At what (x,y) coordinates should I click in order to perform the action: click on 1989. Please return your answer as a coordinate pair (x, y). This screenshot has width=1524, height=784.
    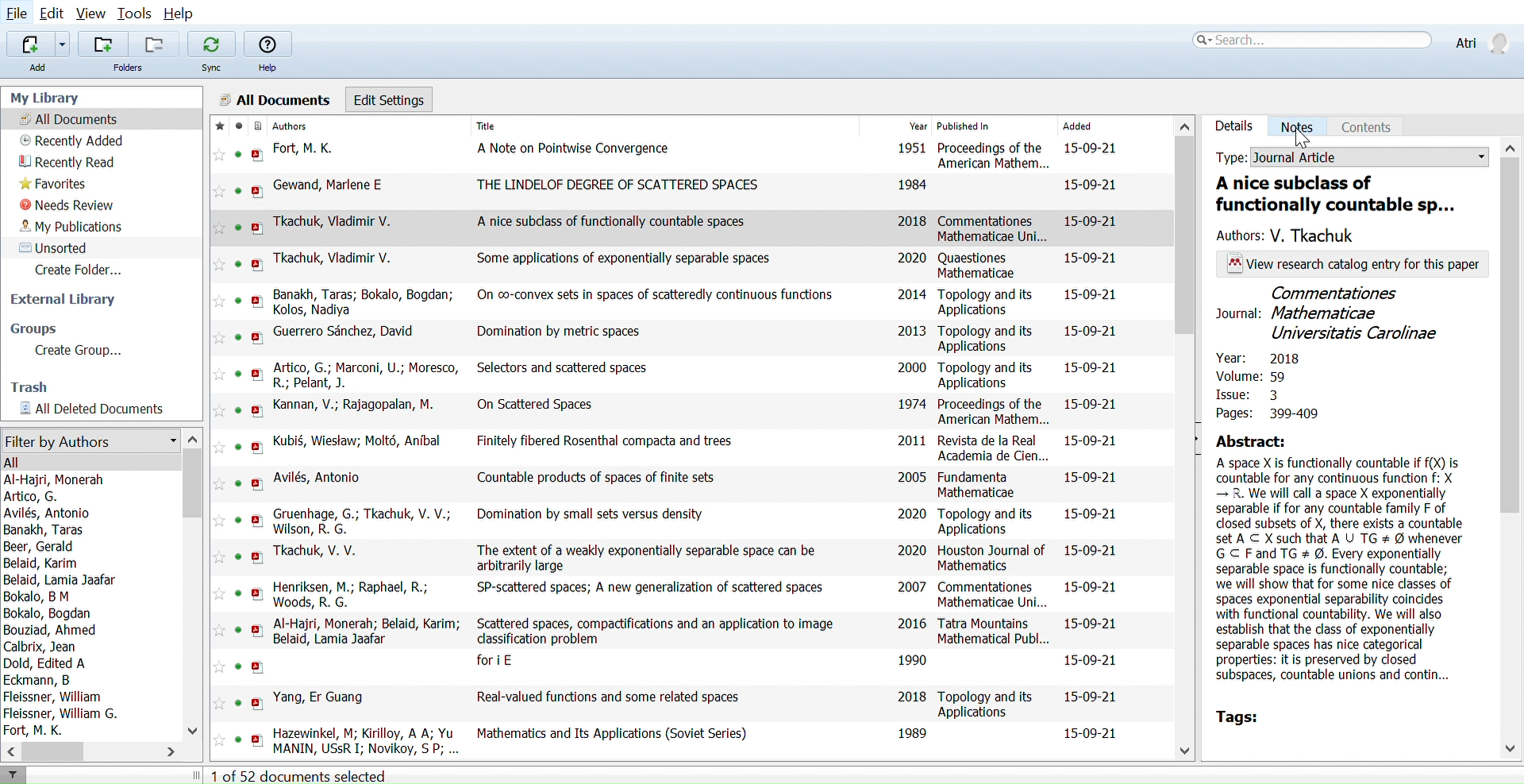
    Looking at the image, I should click on (916, 734).